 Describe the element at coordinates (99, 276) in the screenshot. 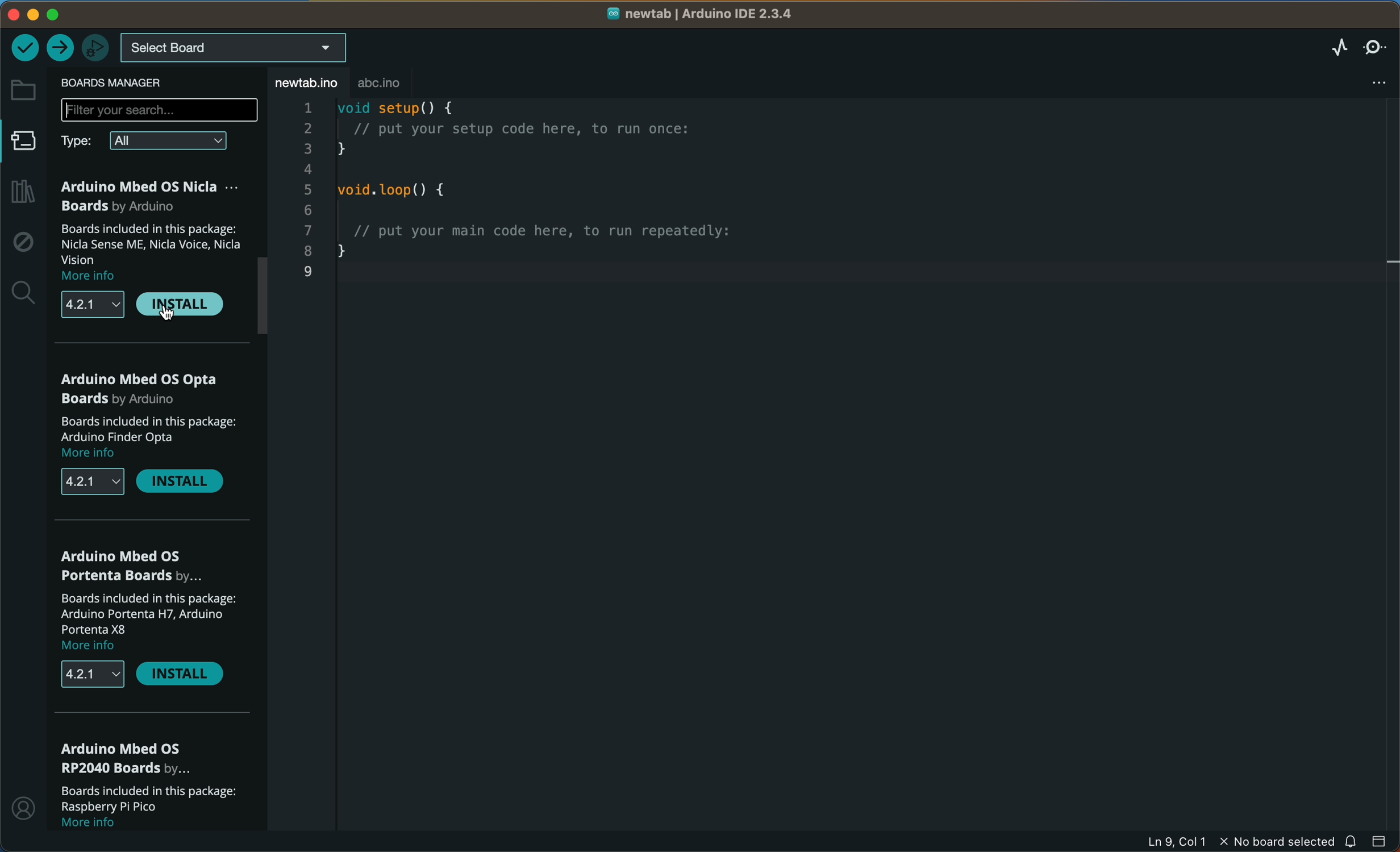

I see `more info` at that location.